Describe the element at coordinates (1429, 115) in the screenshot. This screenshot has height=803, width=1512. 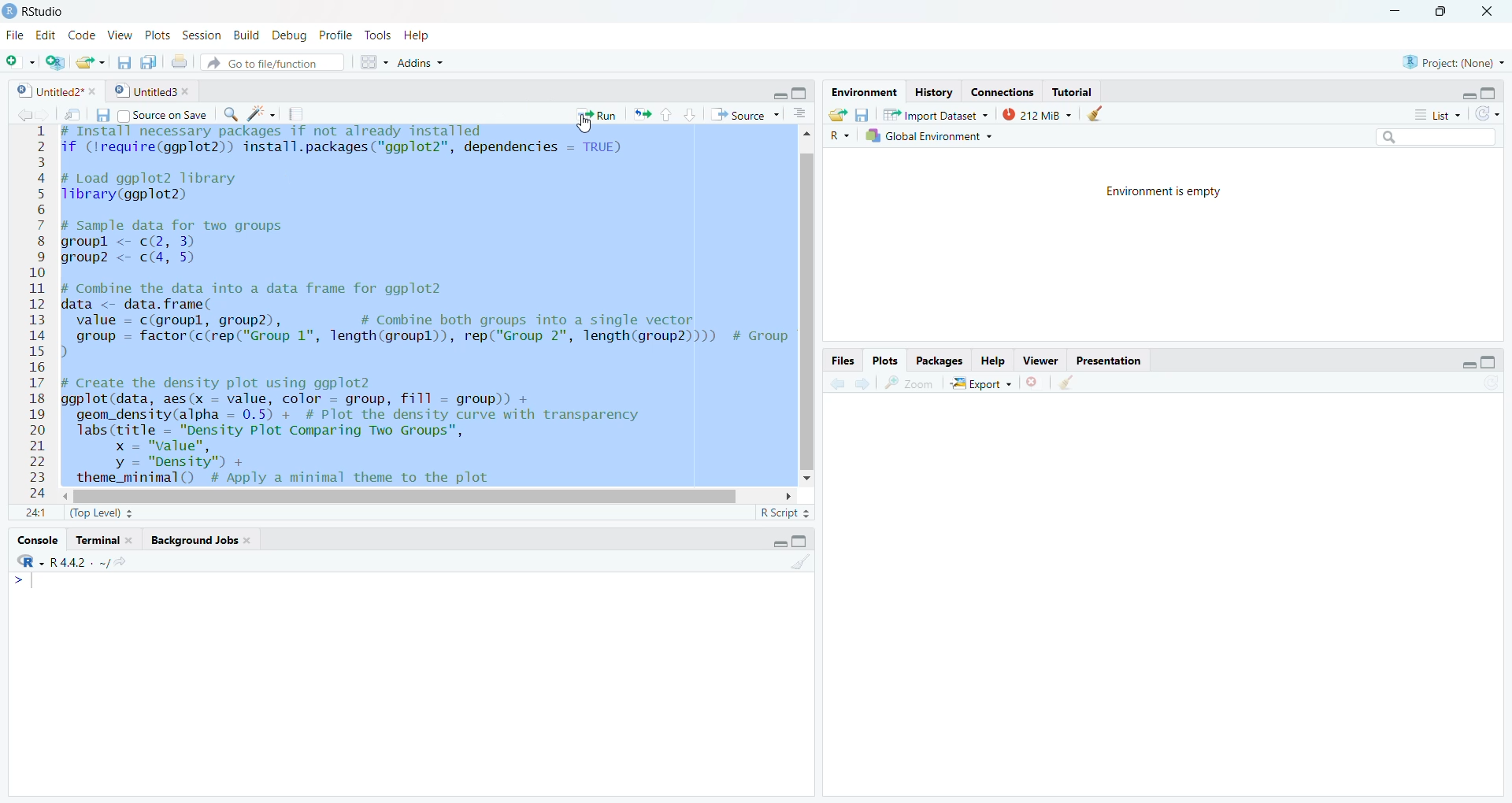
I see `list` at that location.